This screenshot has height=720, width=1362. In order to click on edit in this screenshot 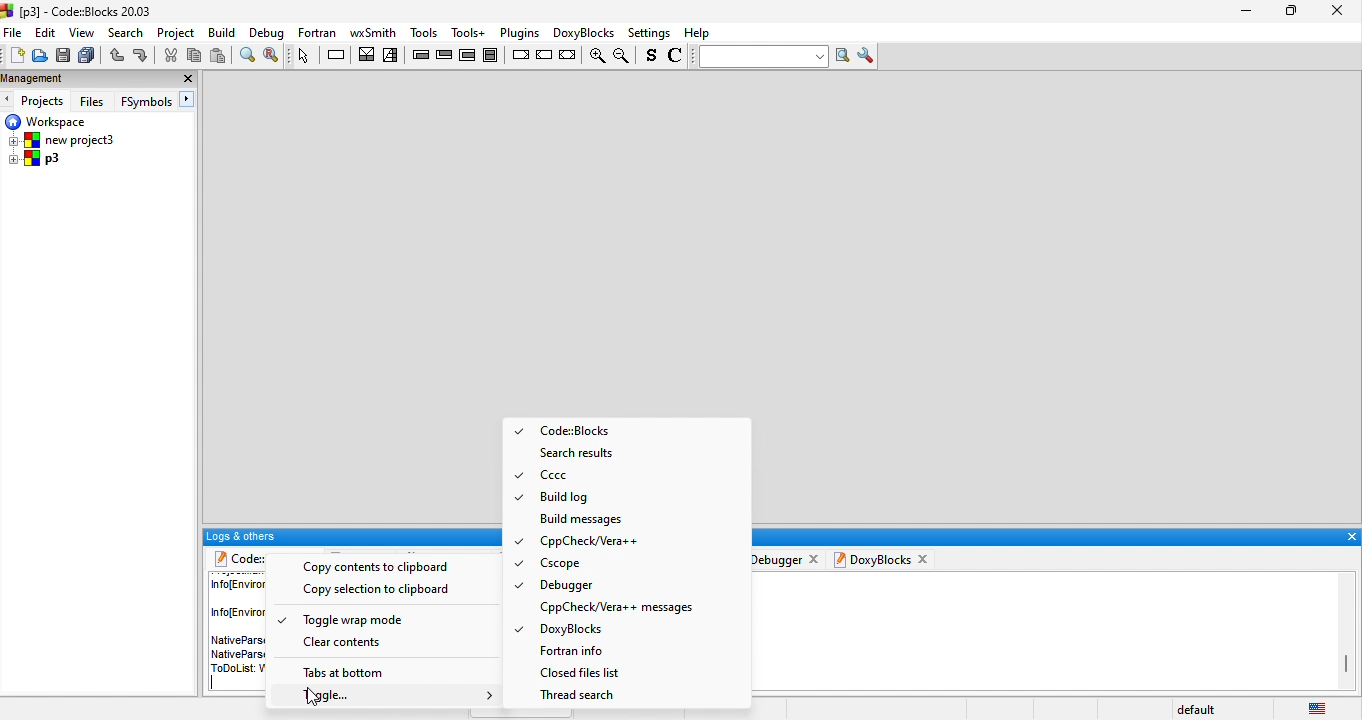, I will do `click(46, 33)`.